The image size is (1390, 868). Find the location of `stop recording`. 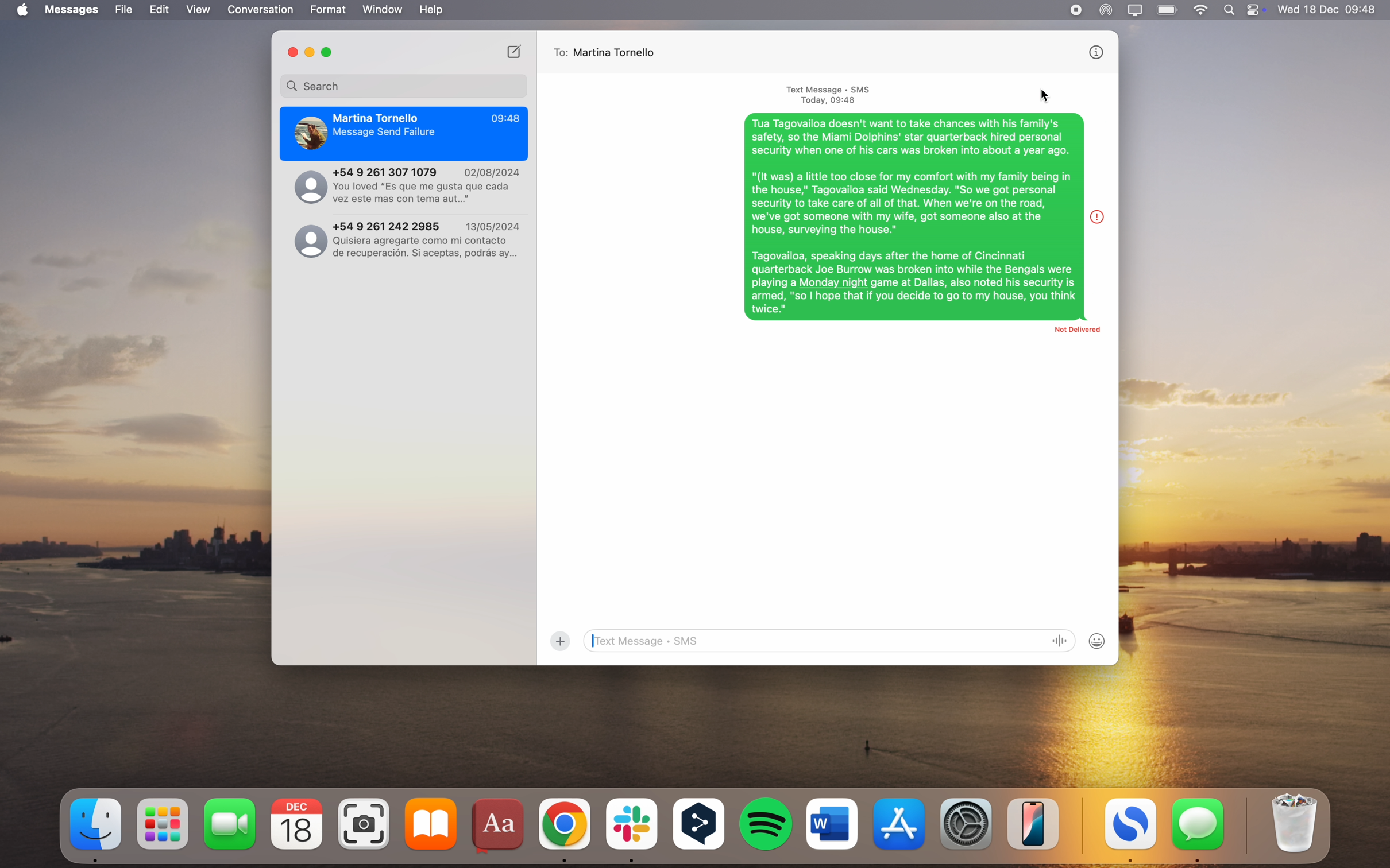

stop recording is located at coordinates (1075, 10).